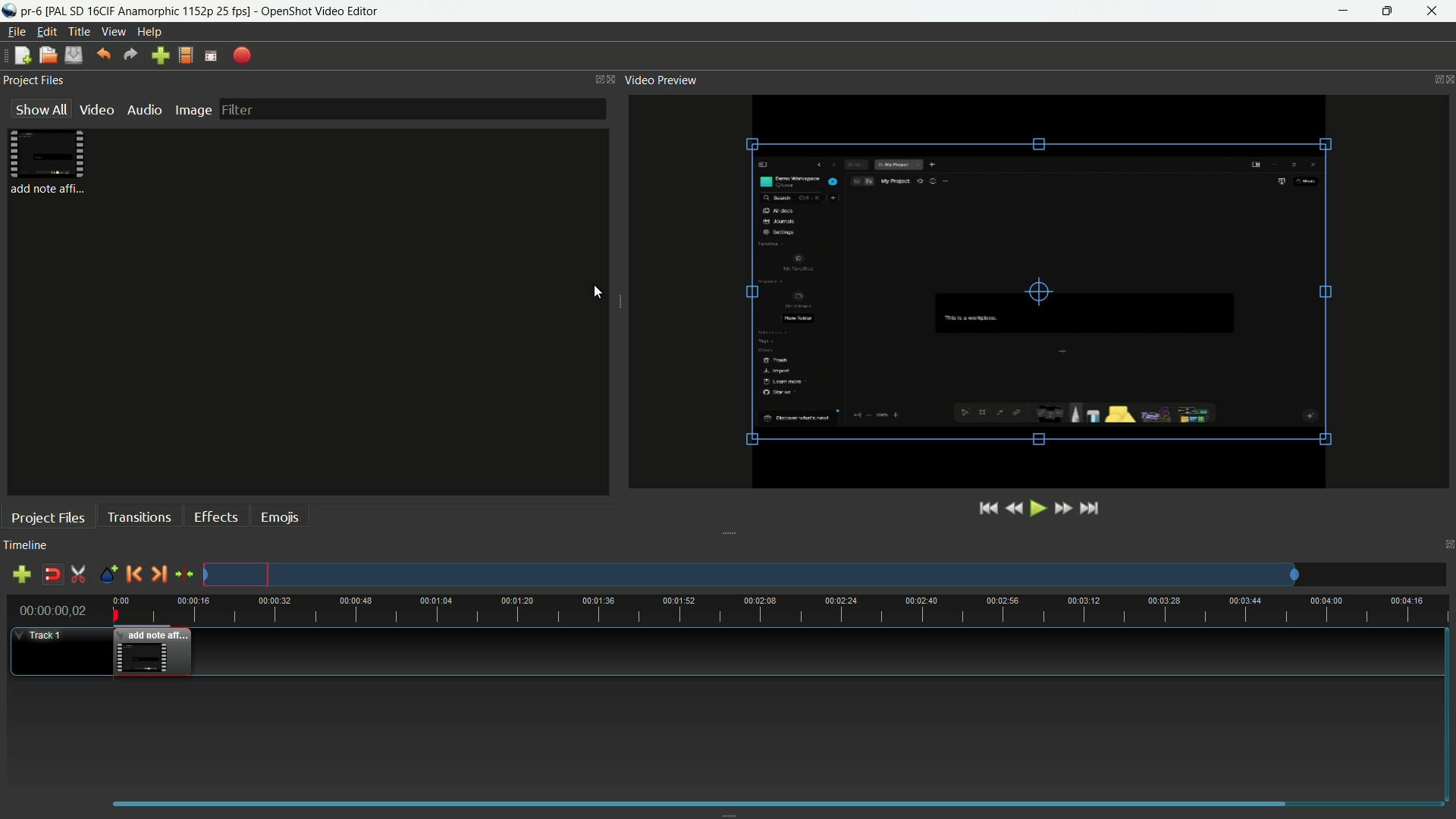  What do you see at coordinates (10, 11) in the screenshot?
I see `Openshot Icon` at bounding box center [10, 11].